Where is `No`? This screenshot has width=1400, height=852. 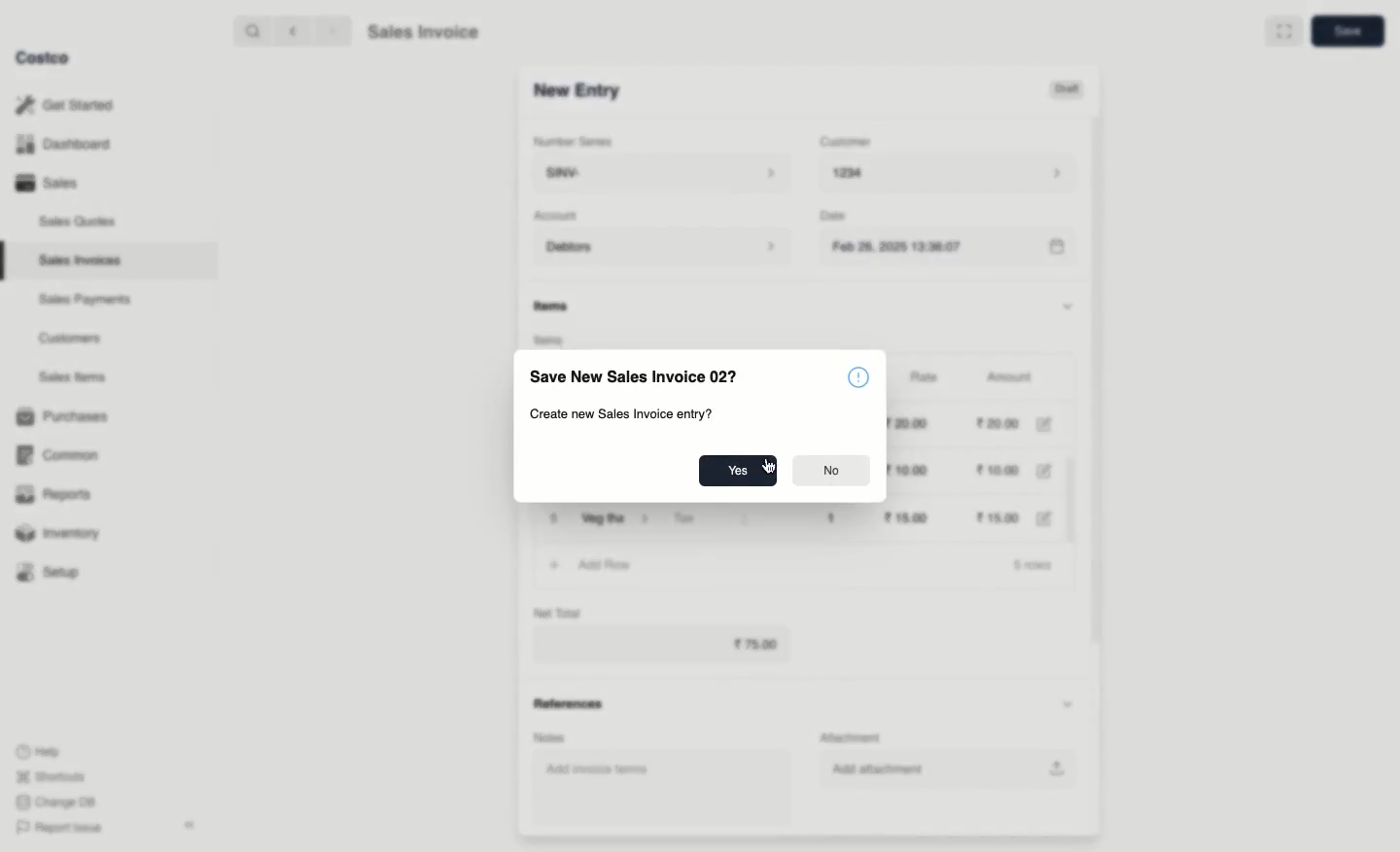
No is located at coordinates (831, 473).